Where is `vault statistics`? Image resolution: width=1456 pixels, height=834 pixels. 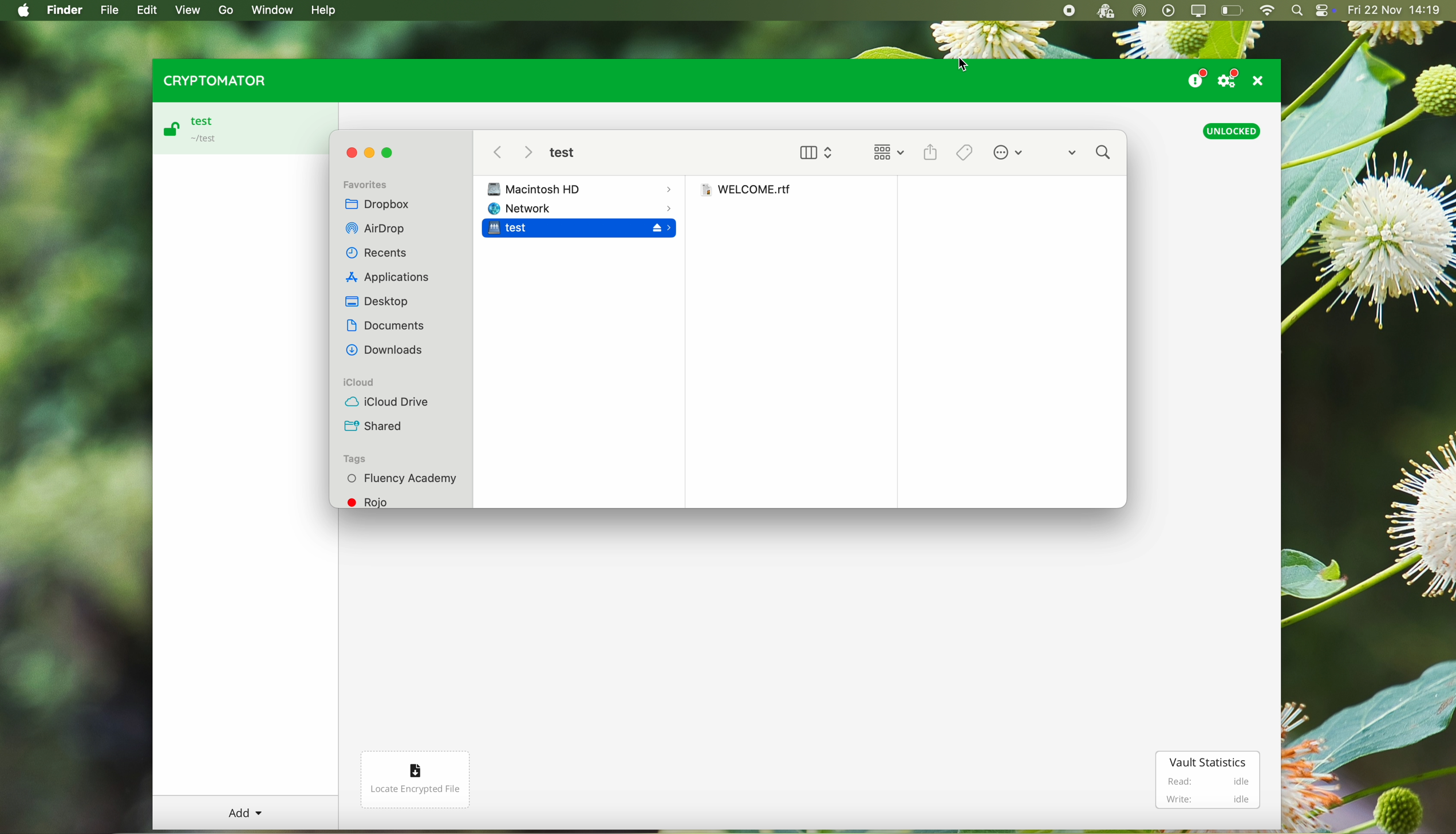
vault statistics is located at coordinates (1206, 761).